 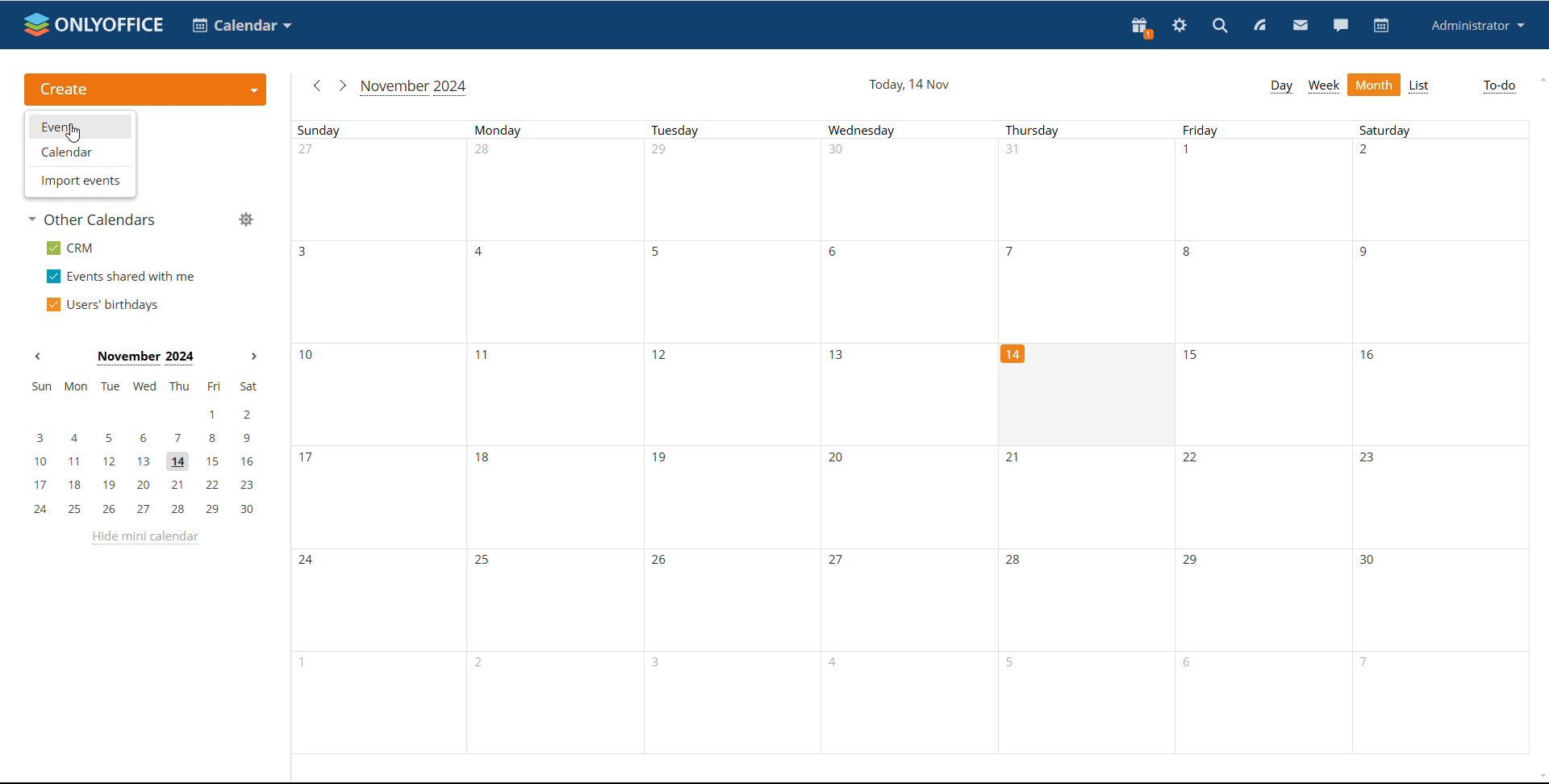 What do you see at coordinates (101, 305) in the screenshot?
I see `users' birthdays` at bounding box center [101, 305].